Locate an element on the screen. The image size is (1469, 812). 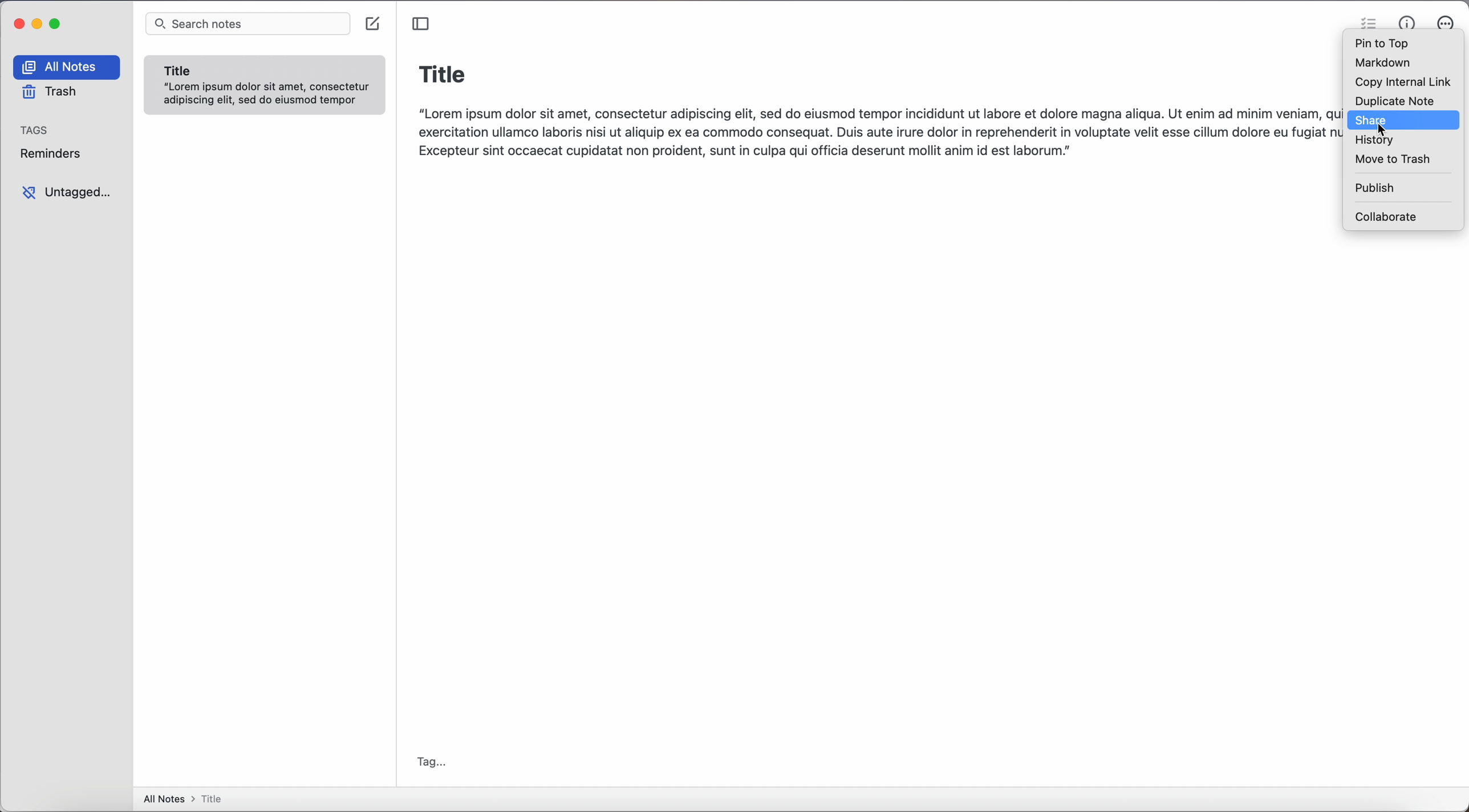
actions is located at coordinates (1445, 23).